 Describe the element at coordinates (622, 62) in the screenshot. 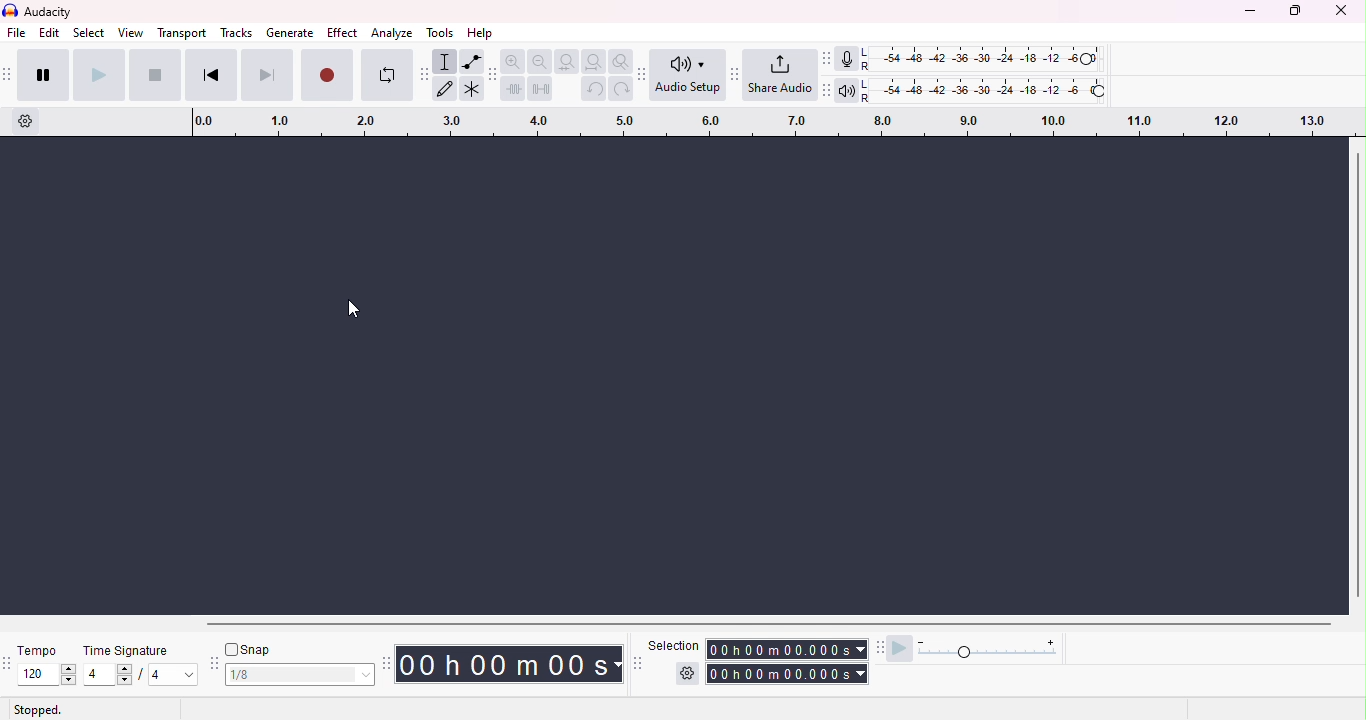

I see `toggle zoom` at that location.